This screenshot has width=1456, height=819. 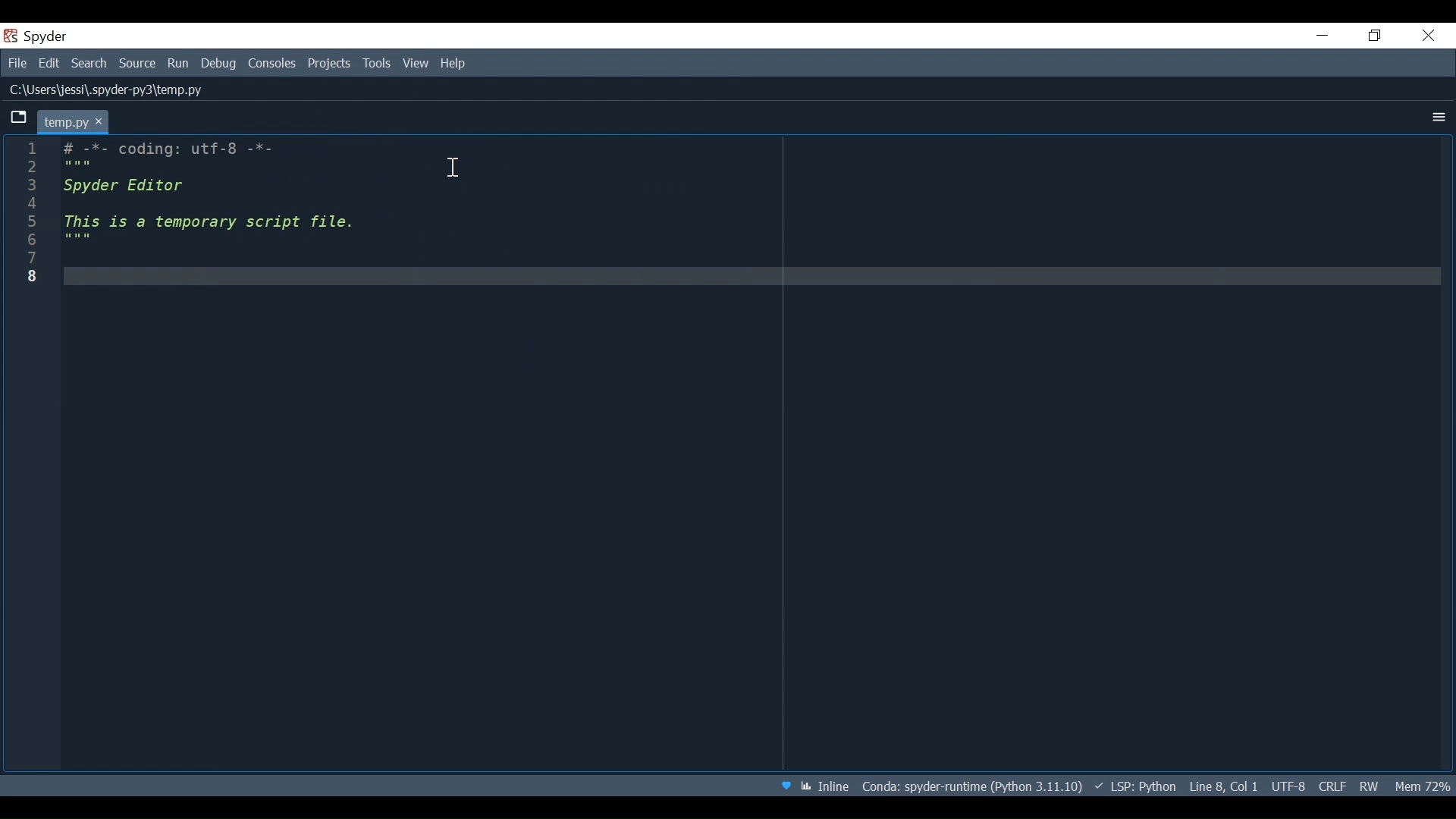 What do you see at coordinates (16, 63) in the screenshot?
I see `File` at bounding box center [16, 63].